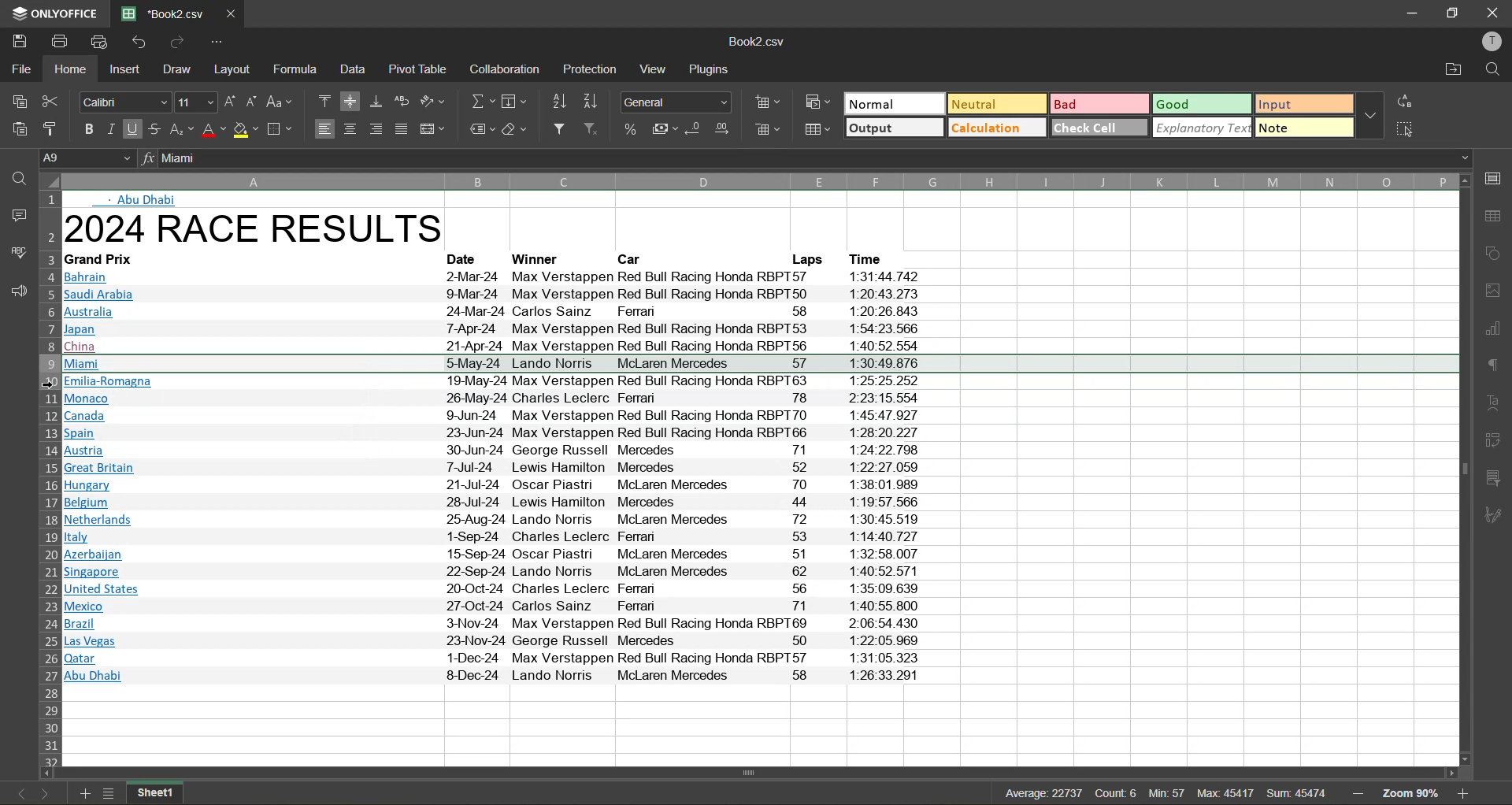  Describe the element at coordinates (1496, 178) in the screenshot. I see `call settings` at that location.